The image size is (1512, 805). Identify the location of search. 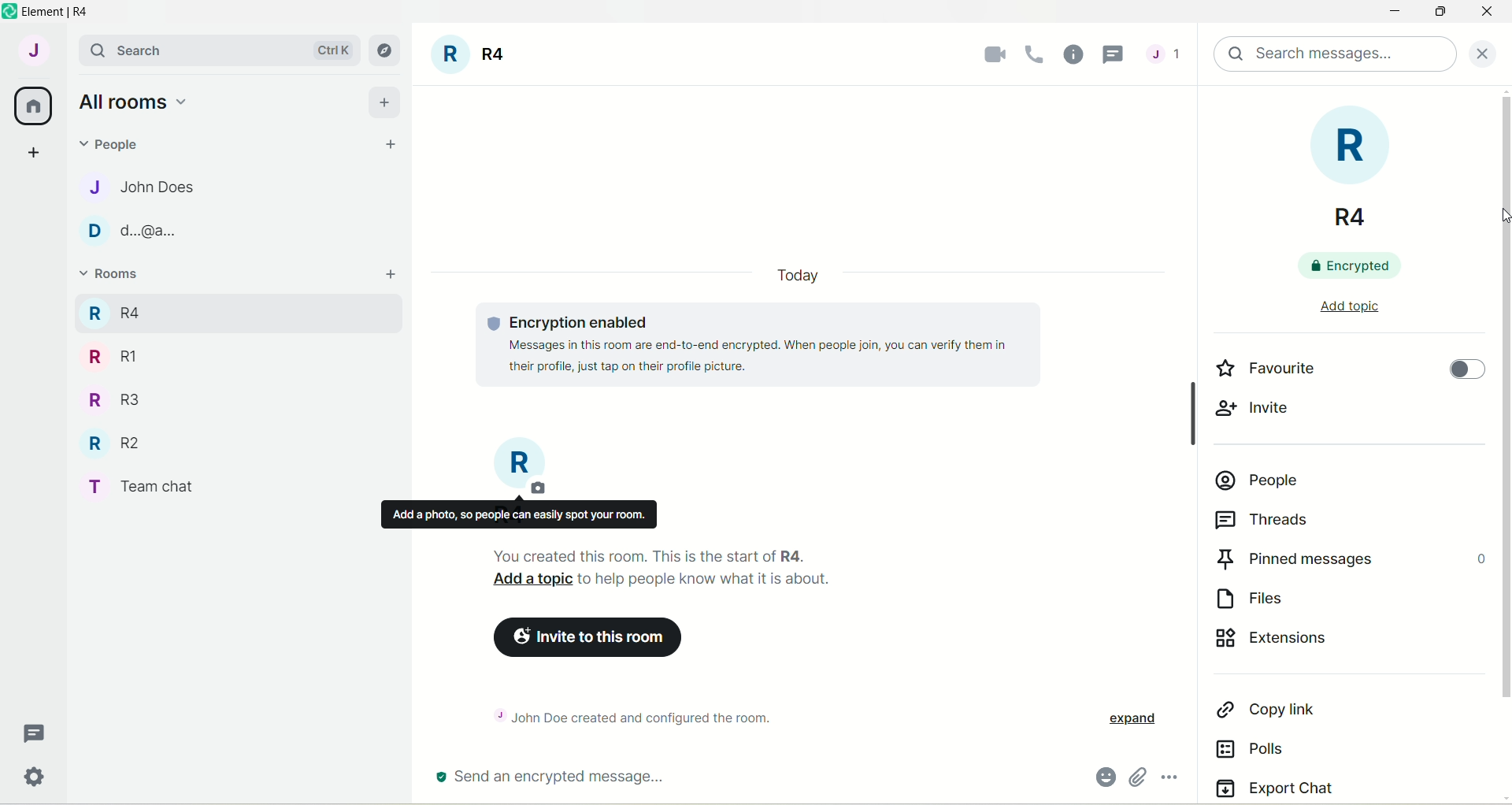
(134, 50).